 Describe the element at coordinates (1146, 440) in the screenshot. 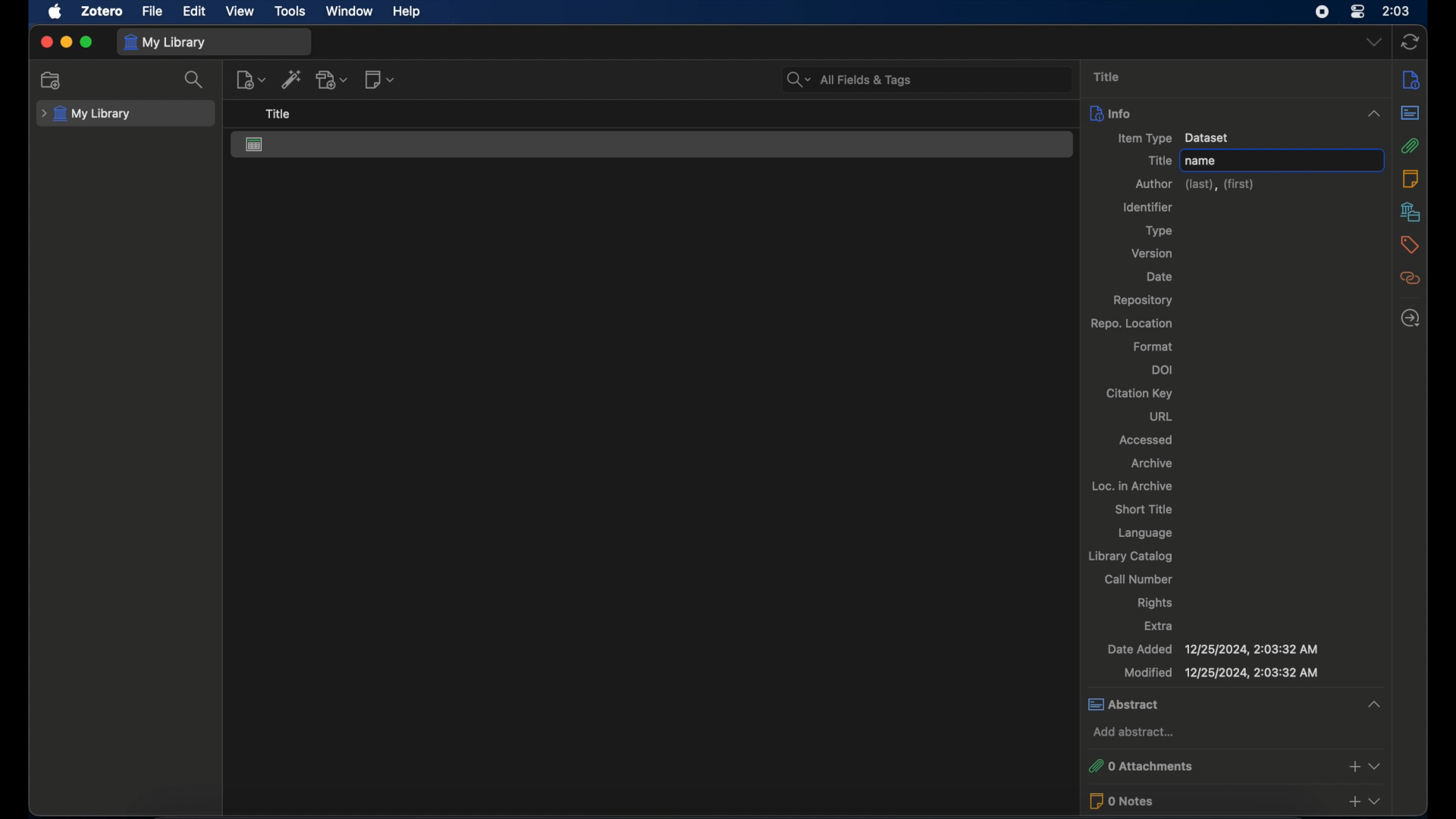

I see `accessed` at that location.